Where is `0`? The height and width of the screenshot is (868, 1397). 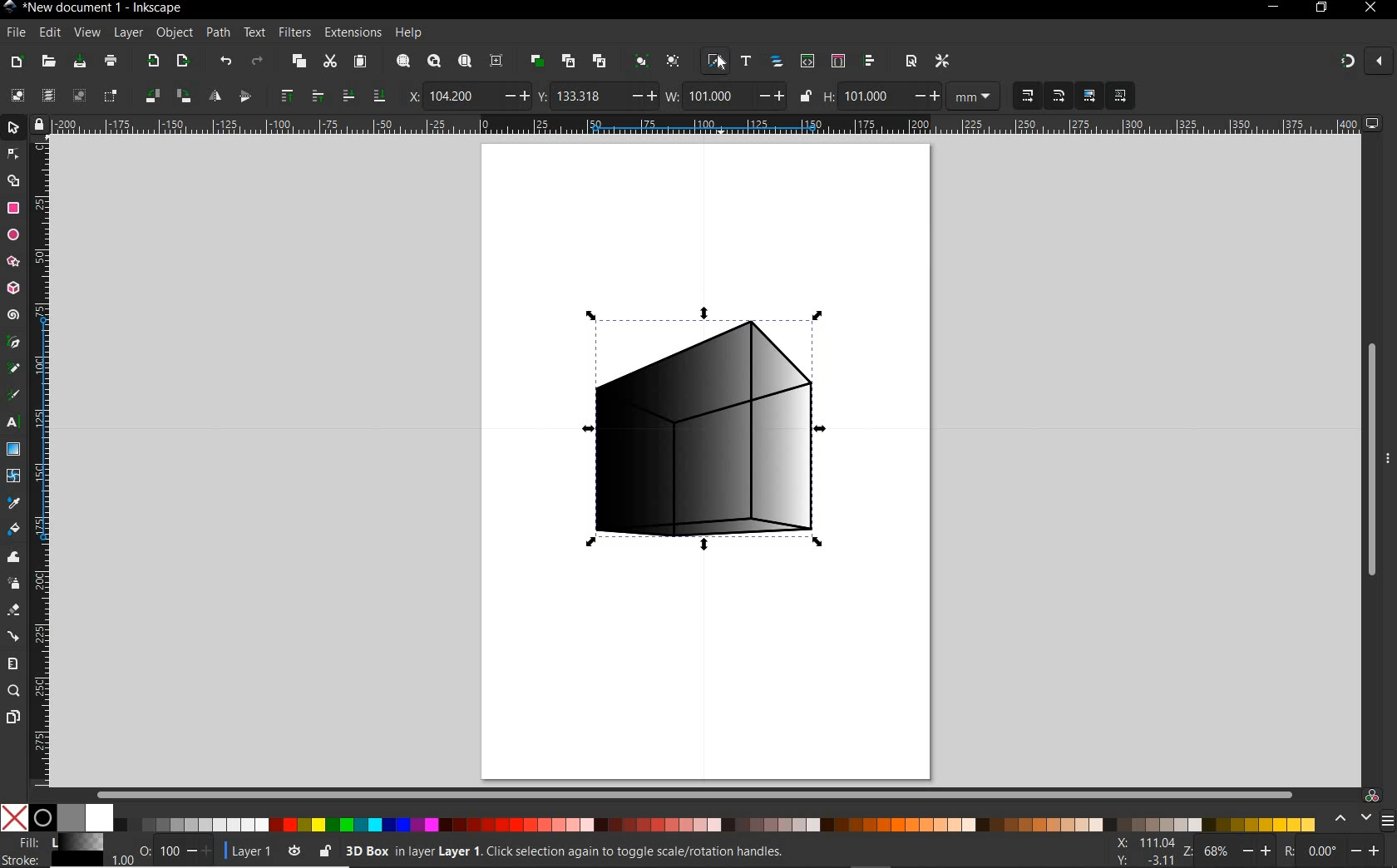 0 is located at coordinates (1323, 852).